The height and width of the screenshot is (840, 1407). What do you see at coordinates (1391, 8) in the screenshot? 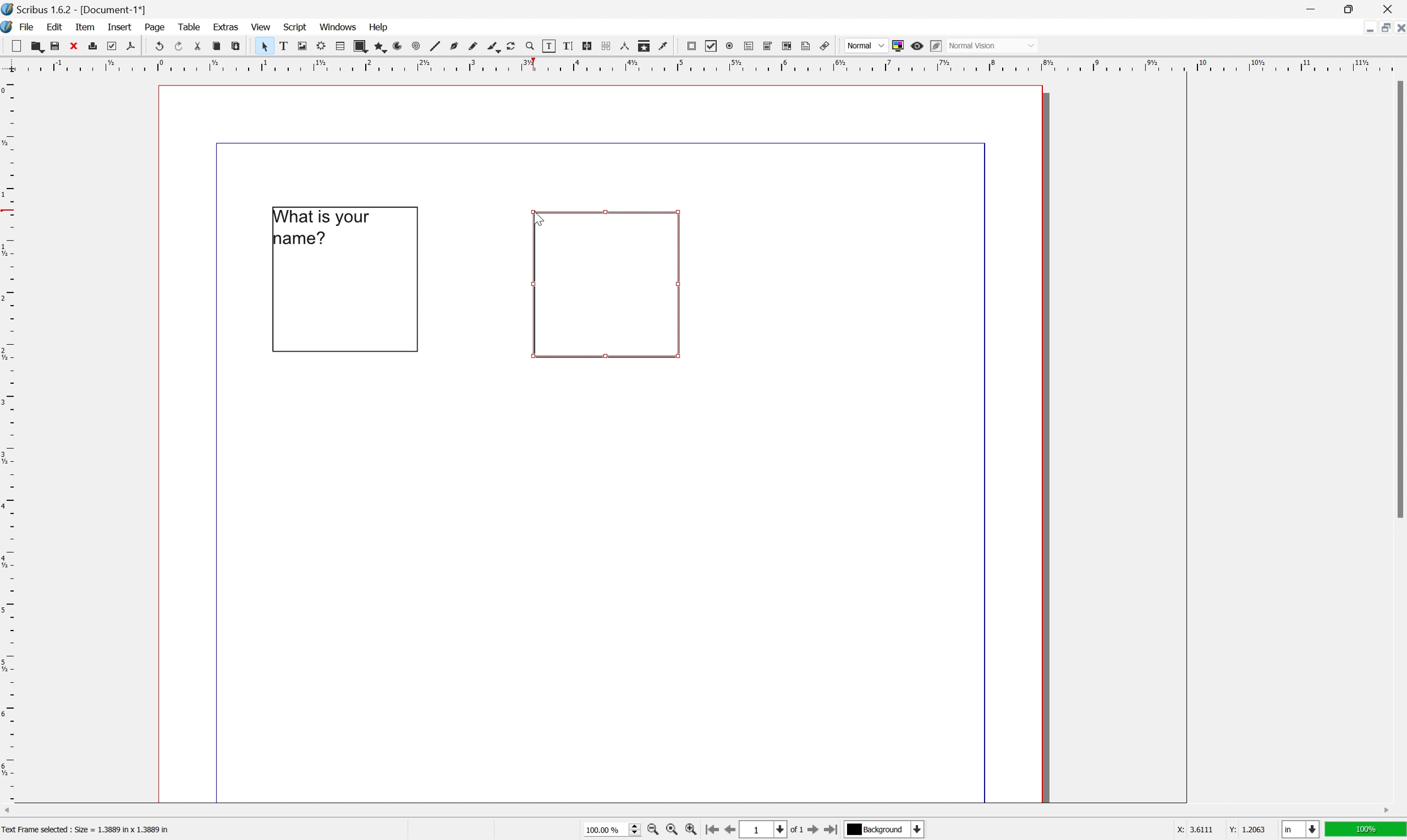
I see `close` at bounding box center [1391, 8].